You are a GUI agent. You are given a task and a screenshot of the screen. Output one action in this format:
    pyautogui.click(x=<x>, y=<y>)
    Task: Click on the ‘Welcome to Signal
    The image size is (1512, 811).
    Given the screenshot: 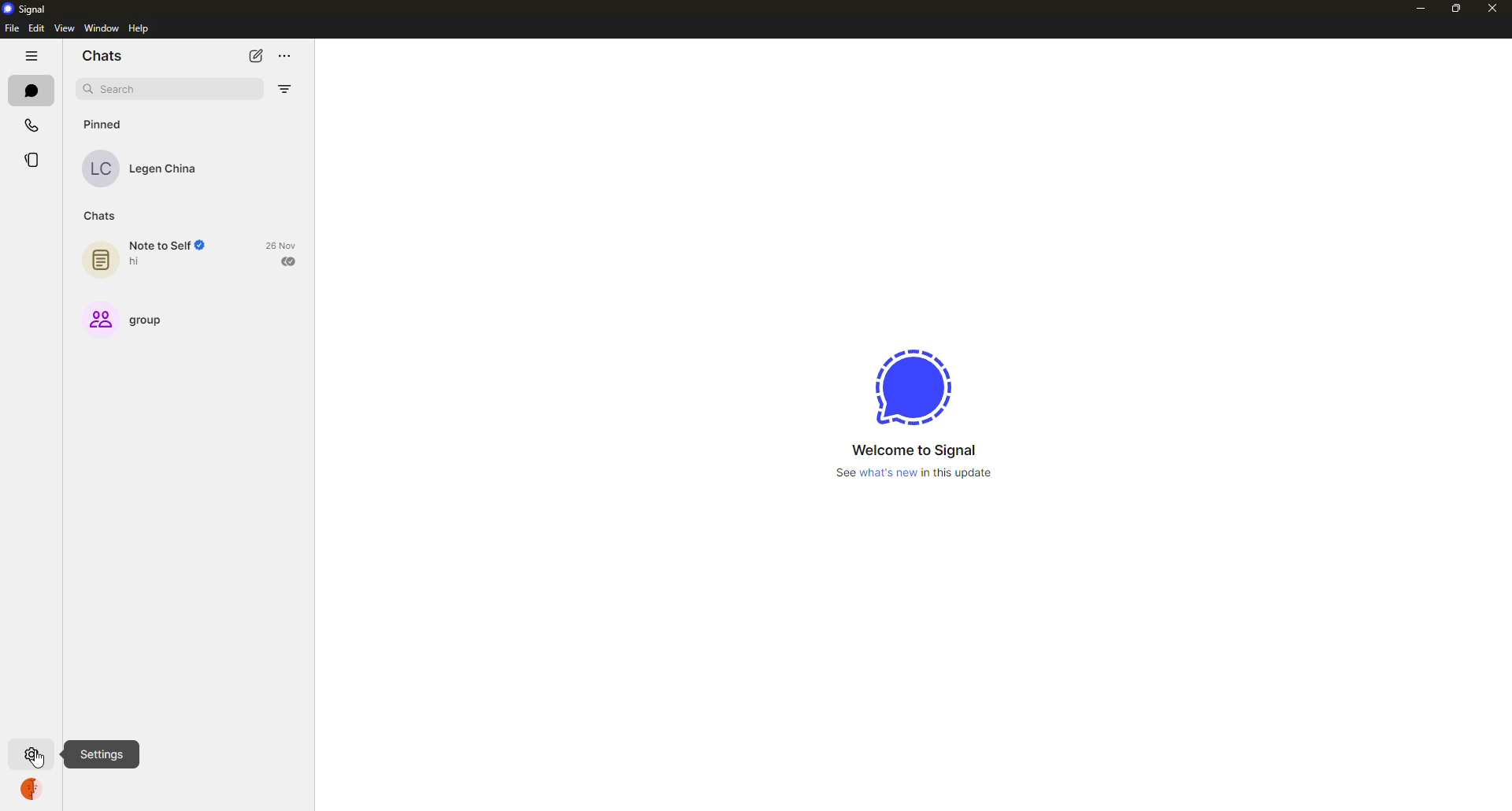 What is the action you would take?
    pyautogui.click(x=918, y=450)
    